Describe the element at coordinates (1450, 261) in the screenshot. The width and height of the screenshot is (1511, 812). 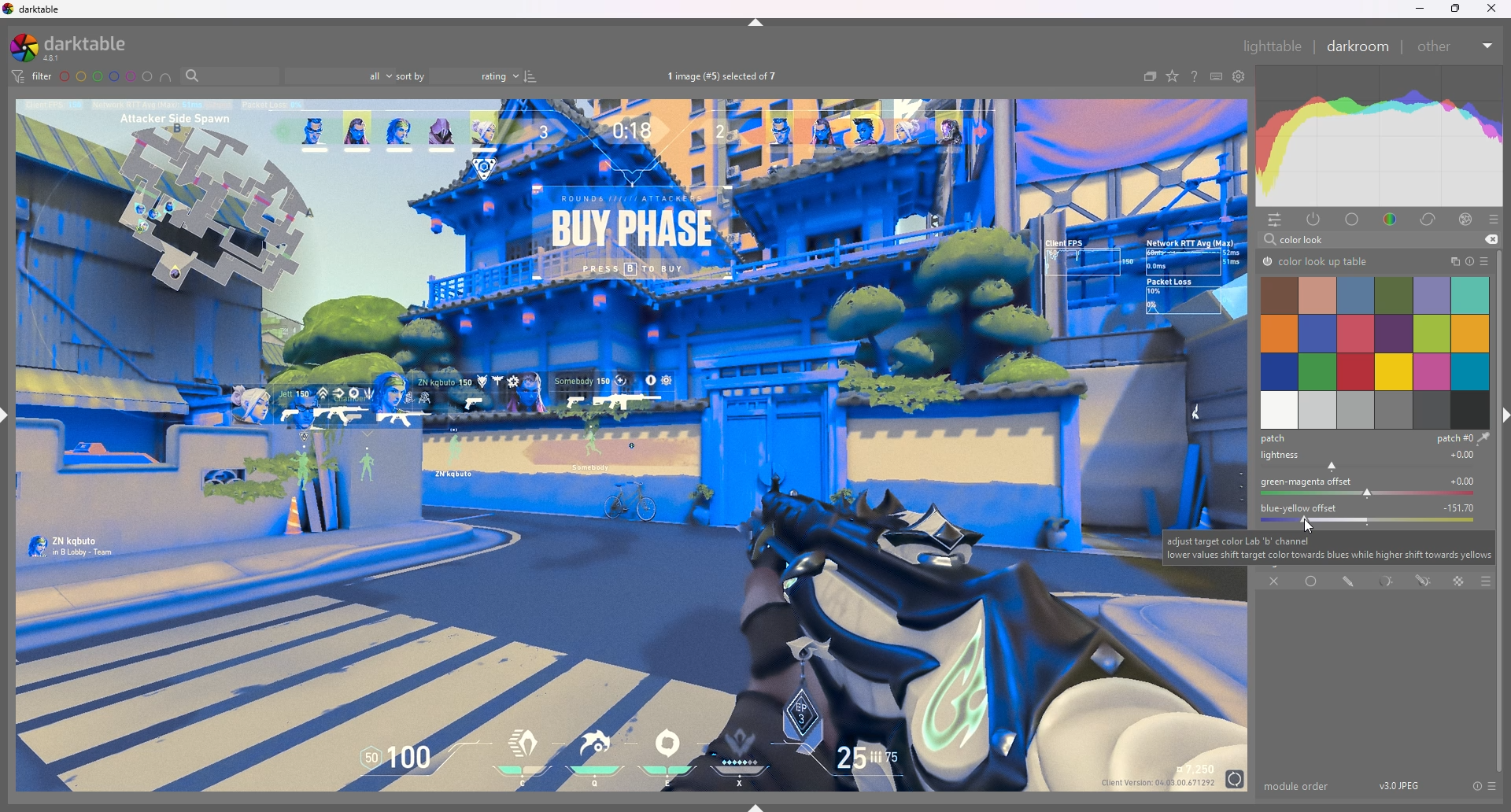
I see `multiple instances action` at that location.